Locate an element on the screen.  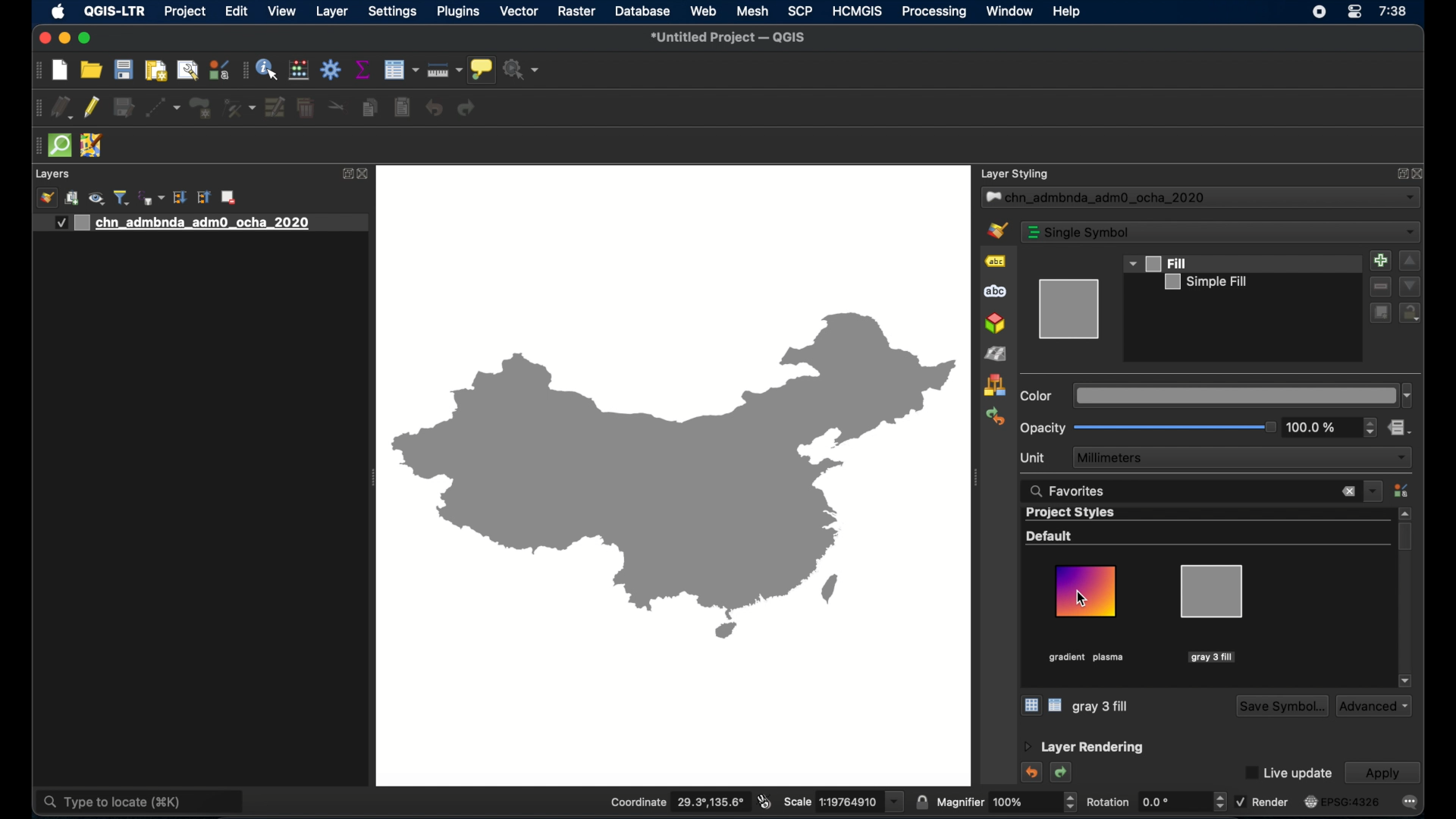
Increase/decrease arrows is located at coordinates (1075, 805).